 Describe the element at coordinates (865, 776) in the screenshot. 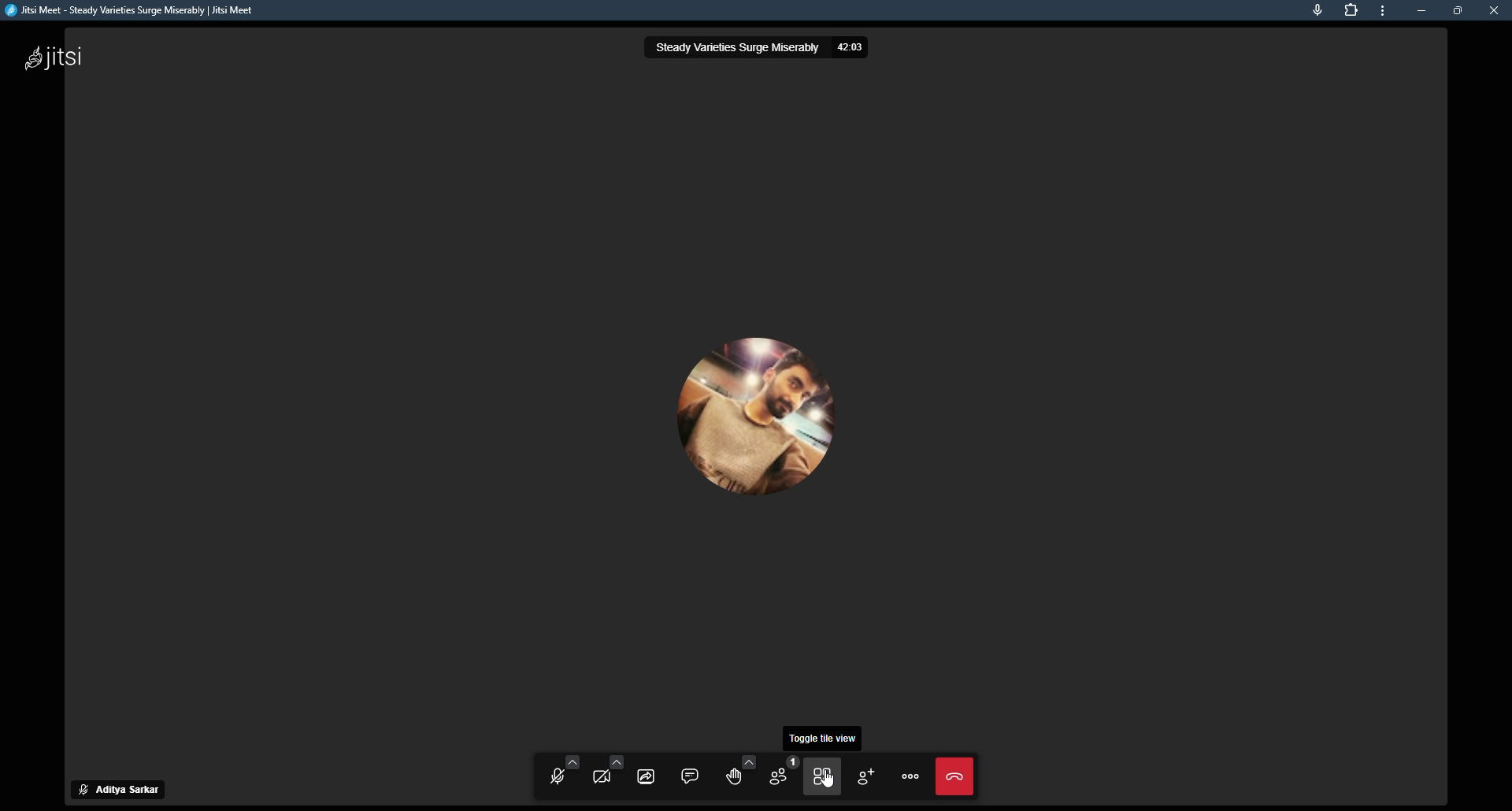

I see `invite people` at that location.